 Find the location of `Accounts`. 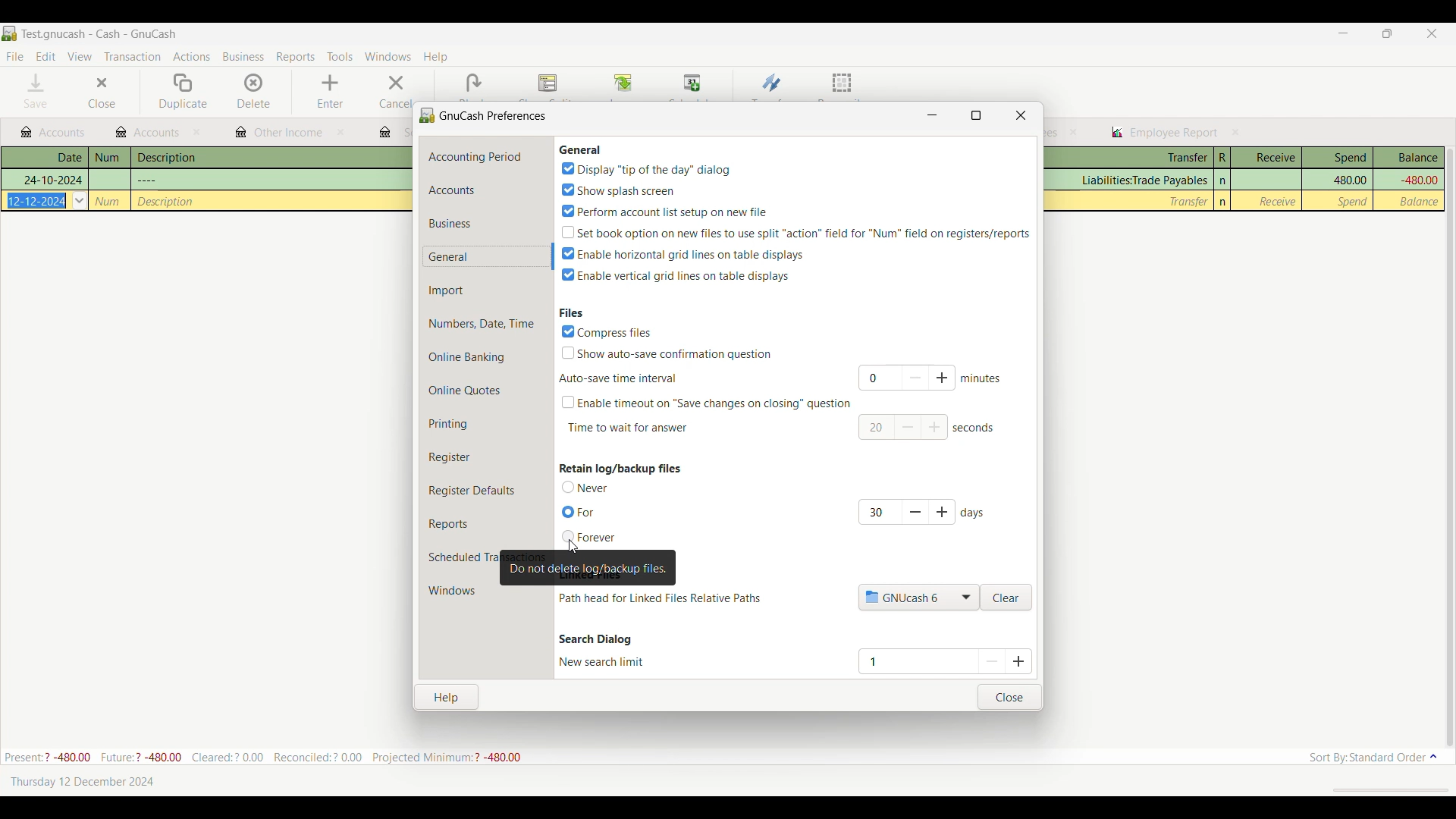

Accounts is located at coordinates (487, 190).